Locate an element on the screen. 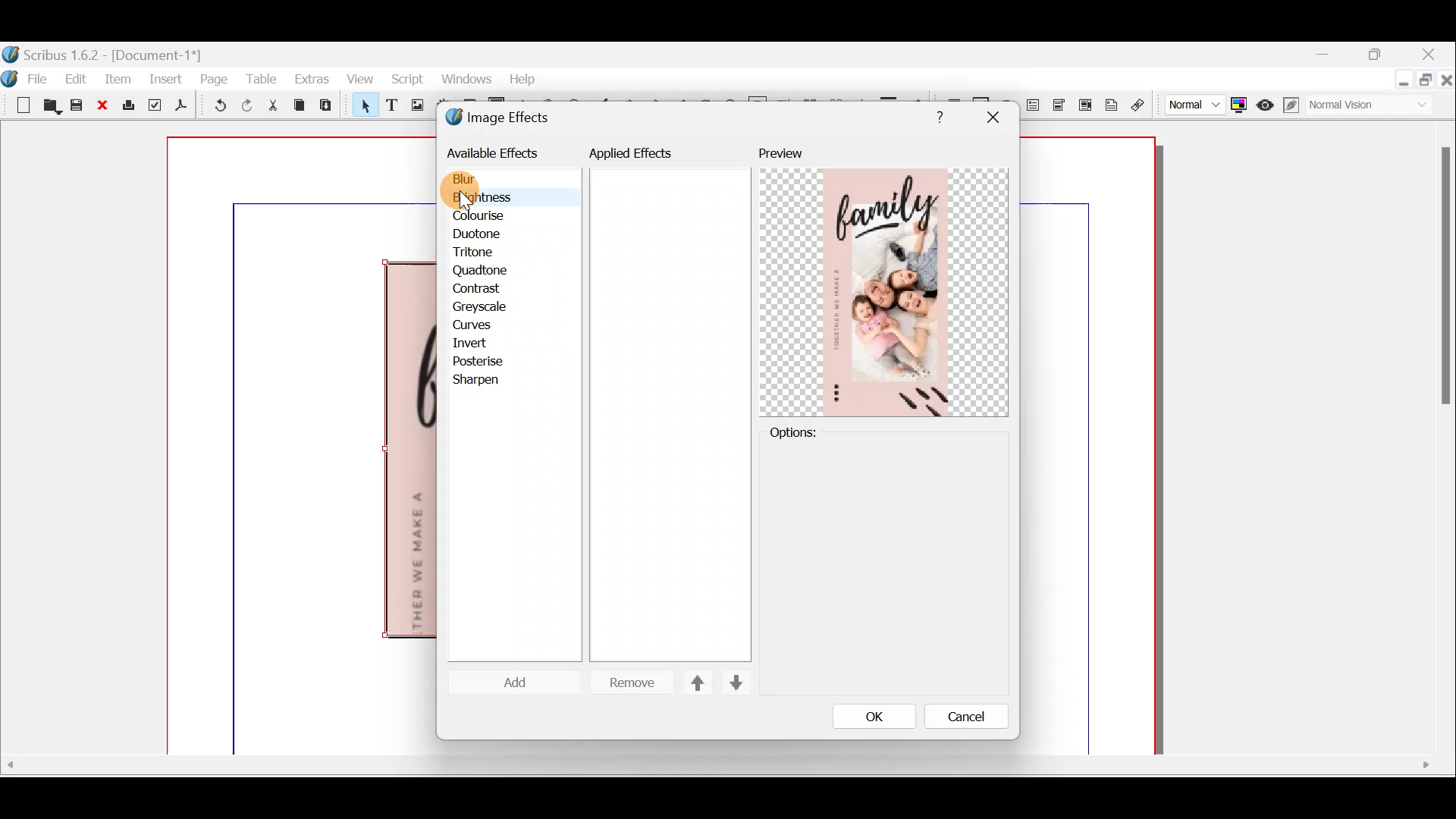 Image resolution: width=1456 pixels, height=819 pixels. Maximise is located at coordinates (1427, 83).